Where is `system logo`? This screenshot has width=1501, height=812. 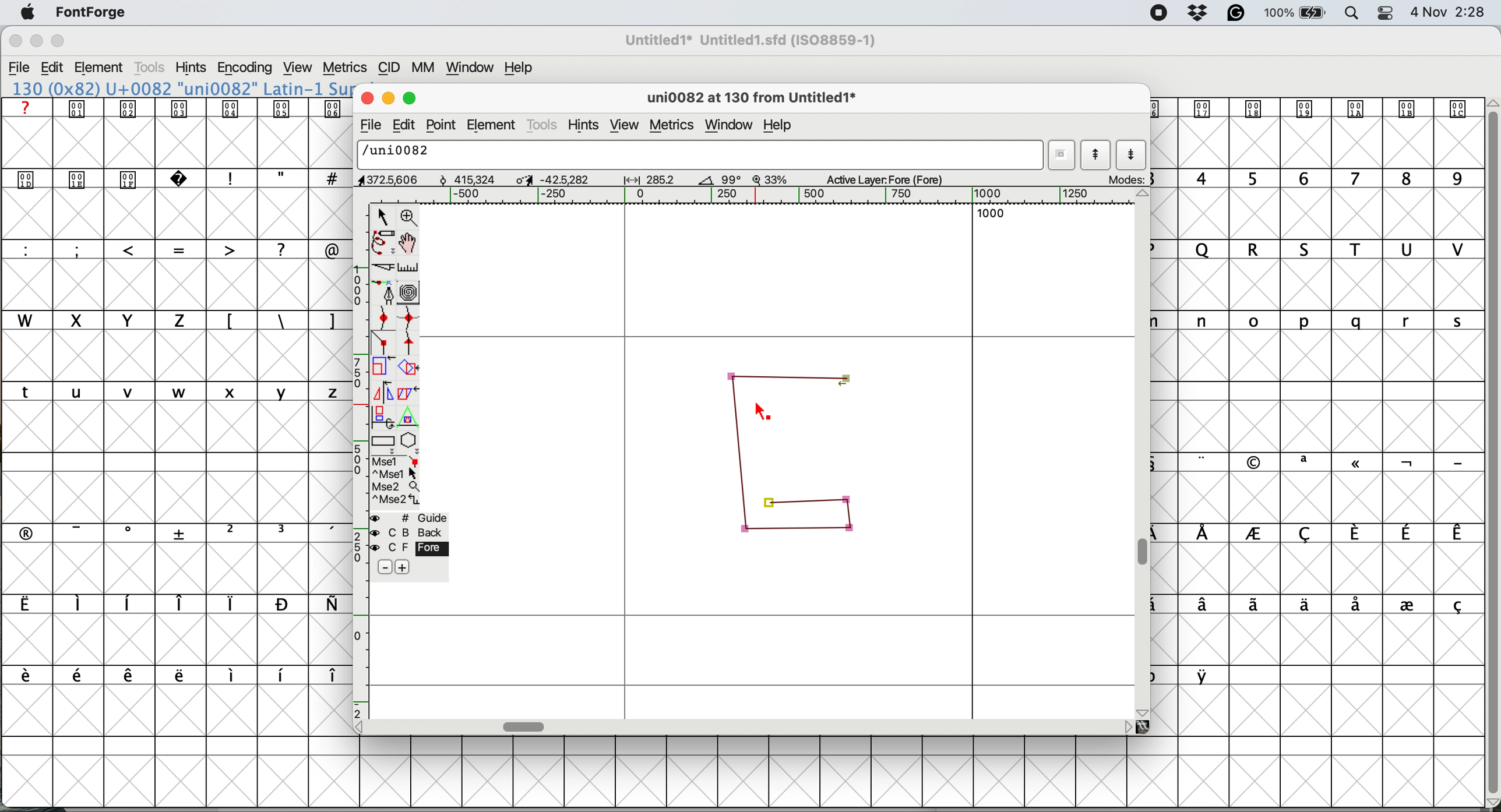
system logo is located at coordinates (28, 13).